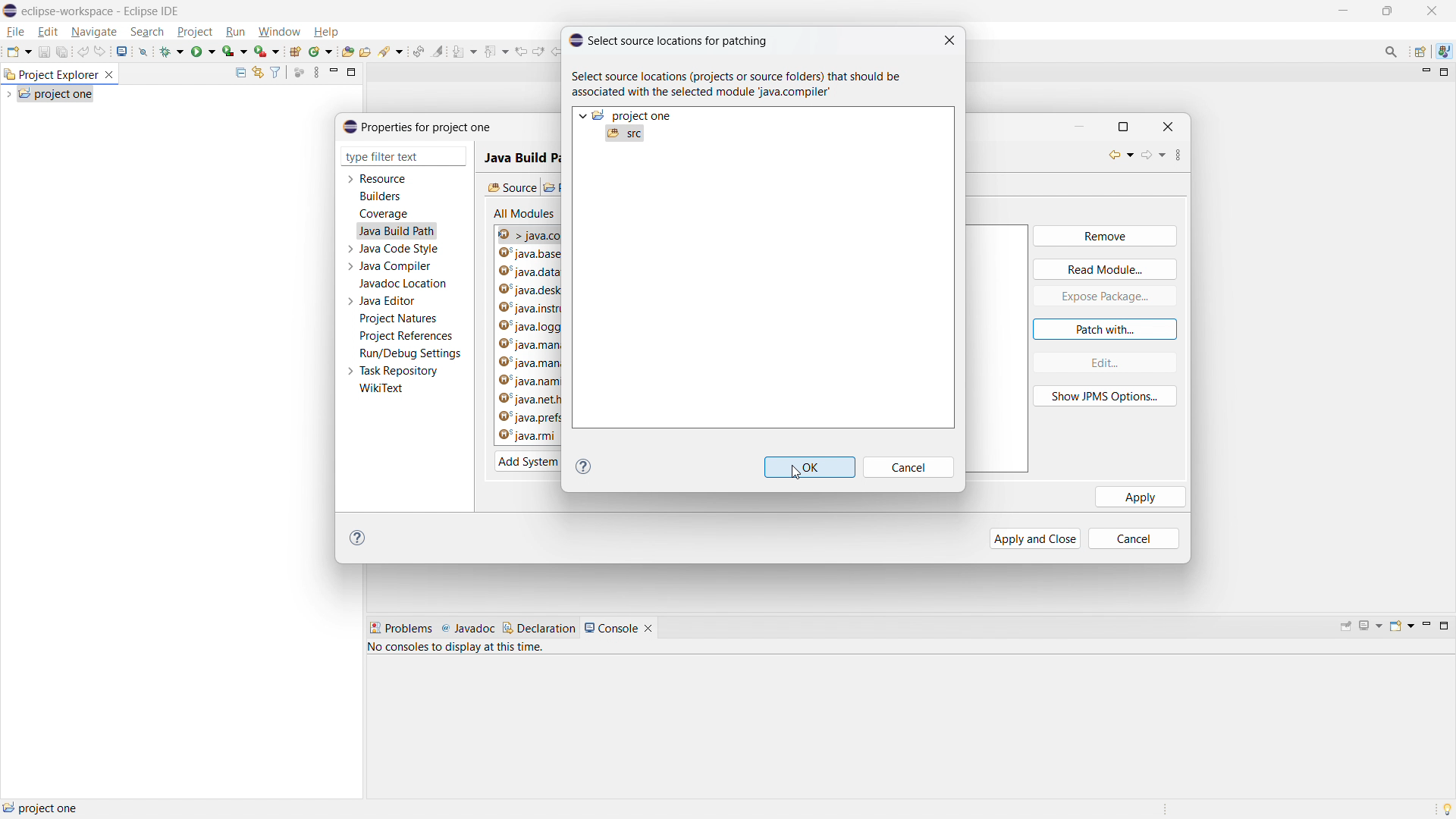 This screenshot has width=1456, height=819. What do you see at coordinates (48, 33) in the screenshot?
I see `edit` at bounding box center [48, 33].